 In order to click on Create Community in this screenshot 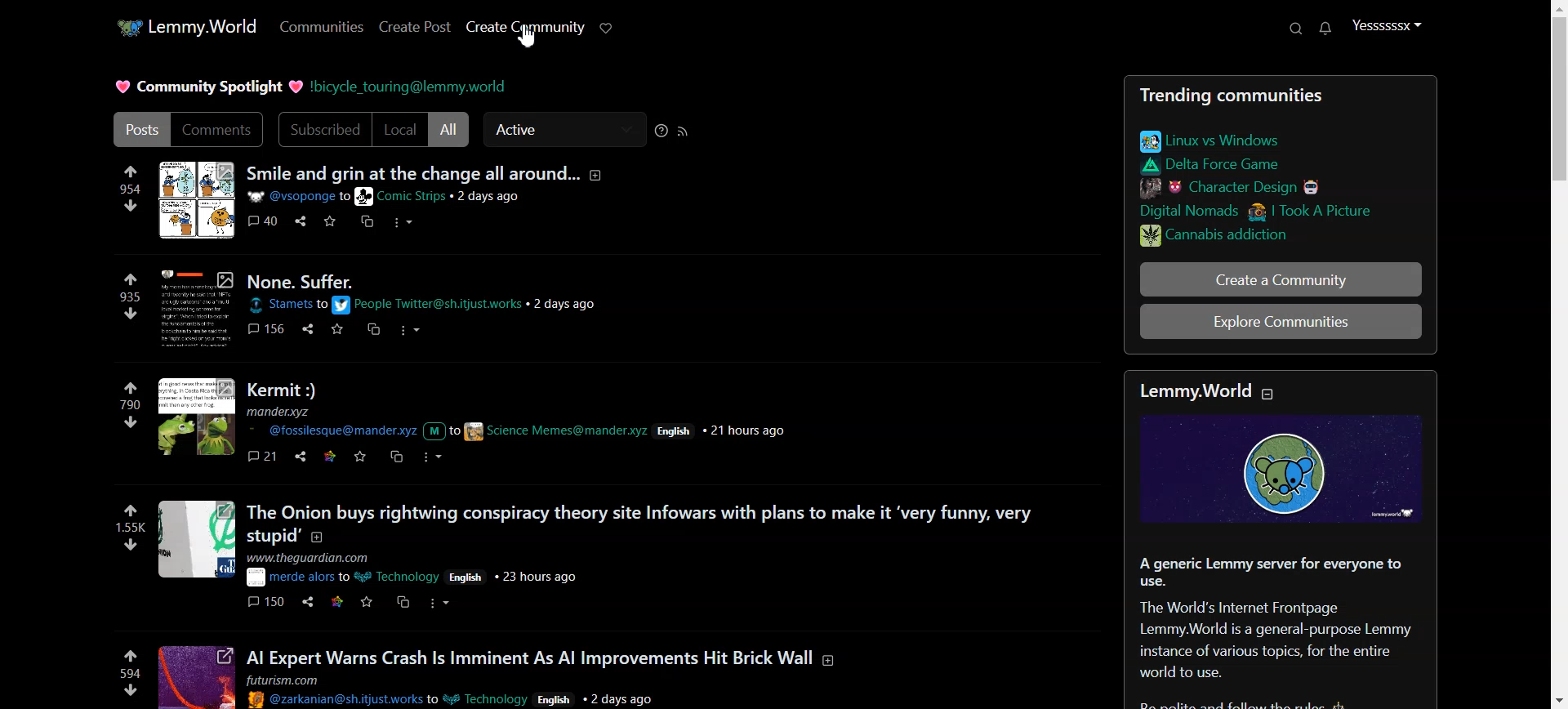, I will do `click(524, 27)`.